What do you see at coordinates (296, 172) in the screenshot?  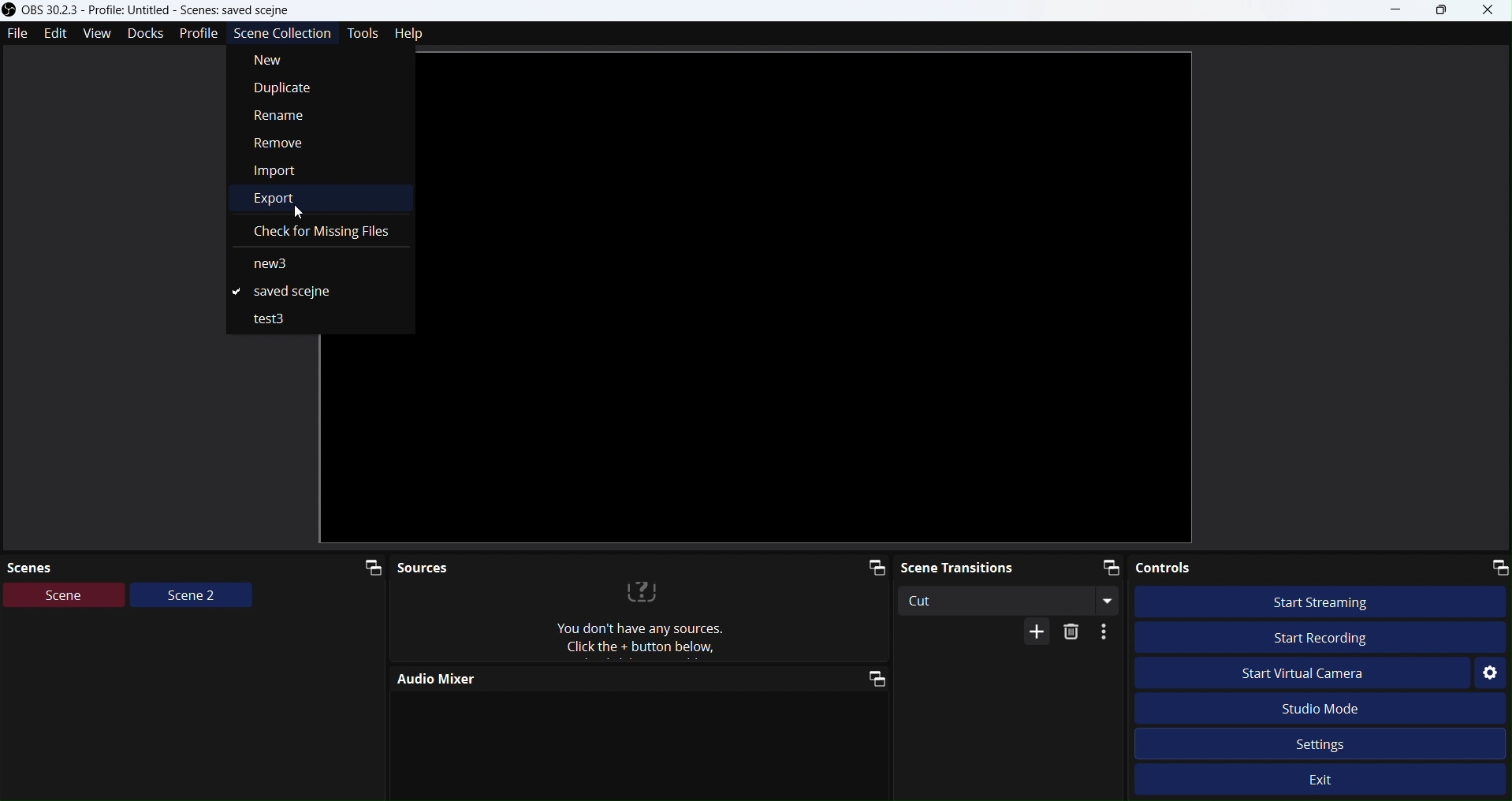 I see `Import` at bounding box center [296, 172].